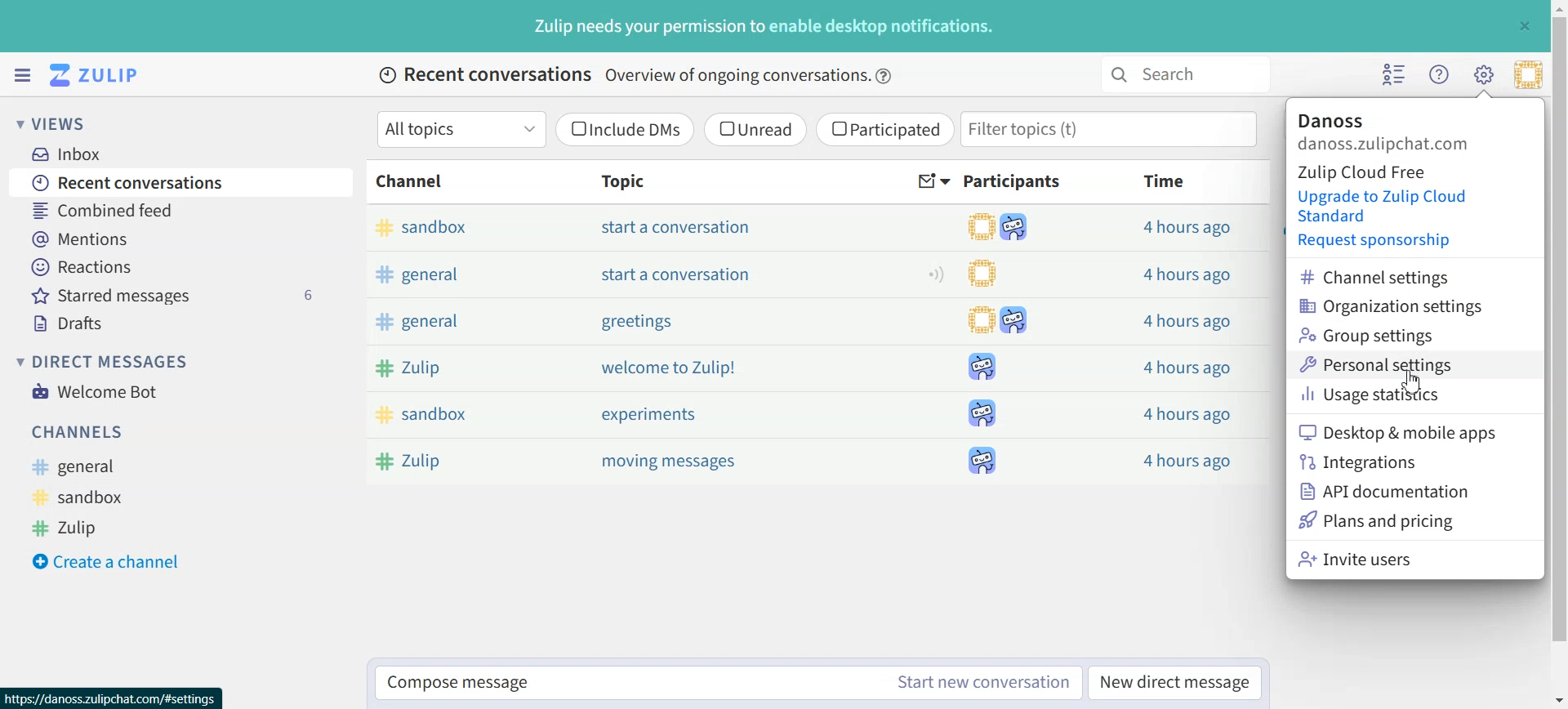 Image resolution: width=1568 pixels, height=709 pixels. What do you see at coordinates (1376, 559) in the screenshot?
I see `Invite users` at bounding box center [1376, 559].